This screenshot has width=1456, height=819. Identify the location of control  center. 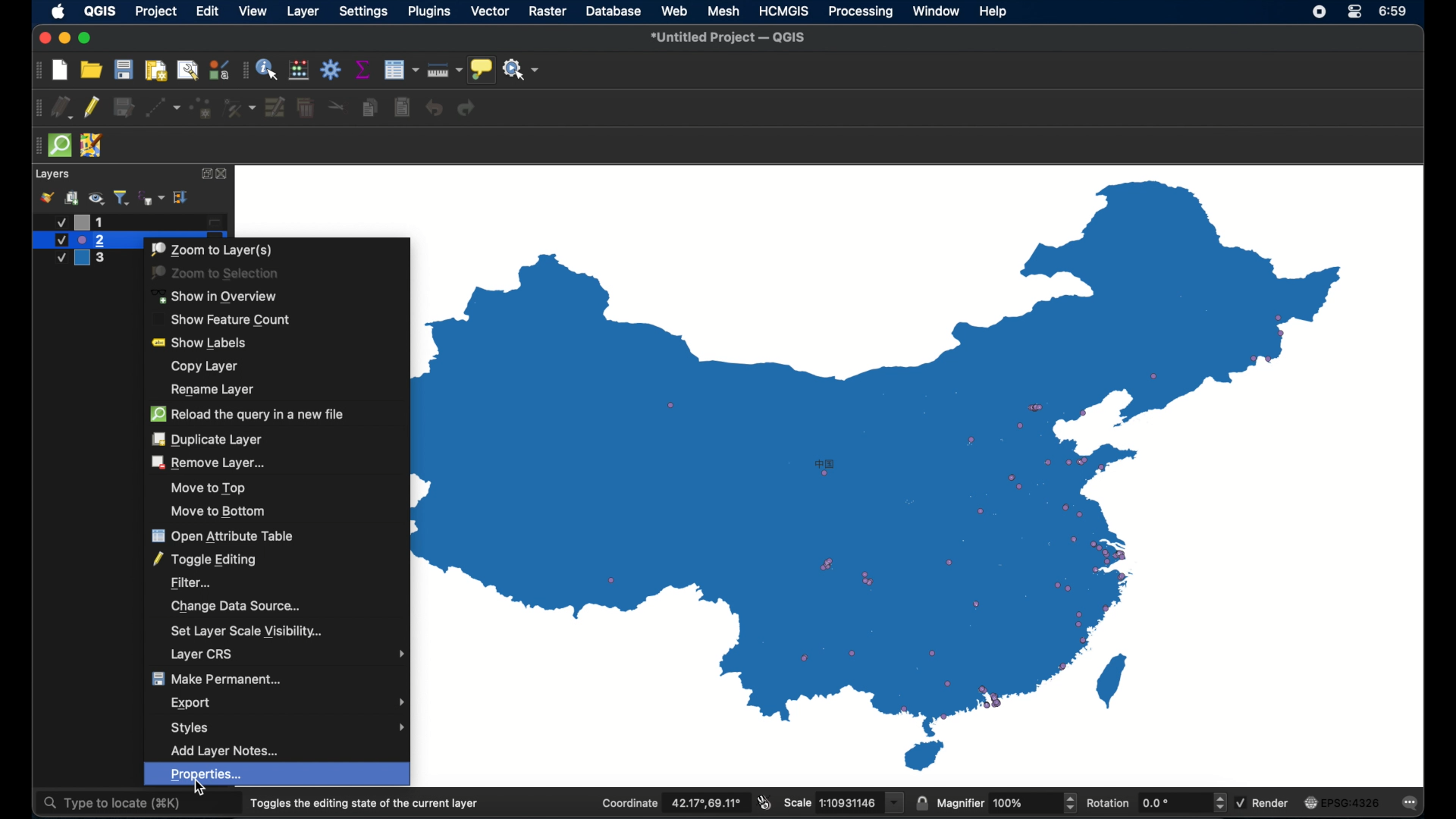
(1317, 13).